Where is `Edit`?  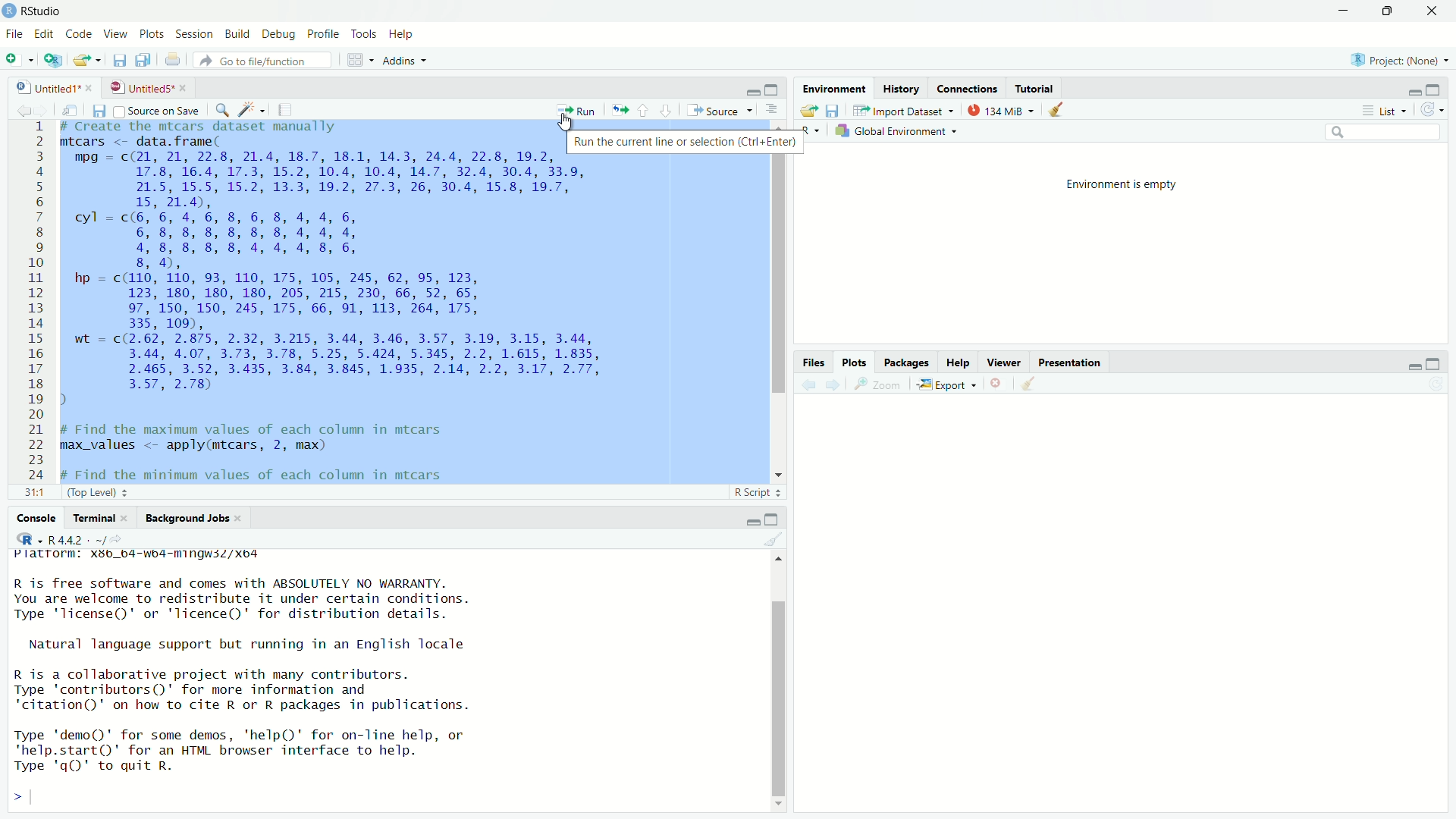
Edit is located at coordinates (45, 33).